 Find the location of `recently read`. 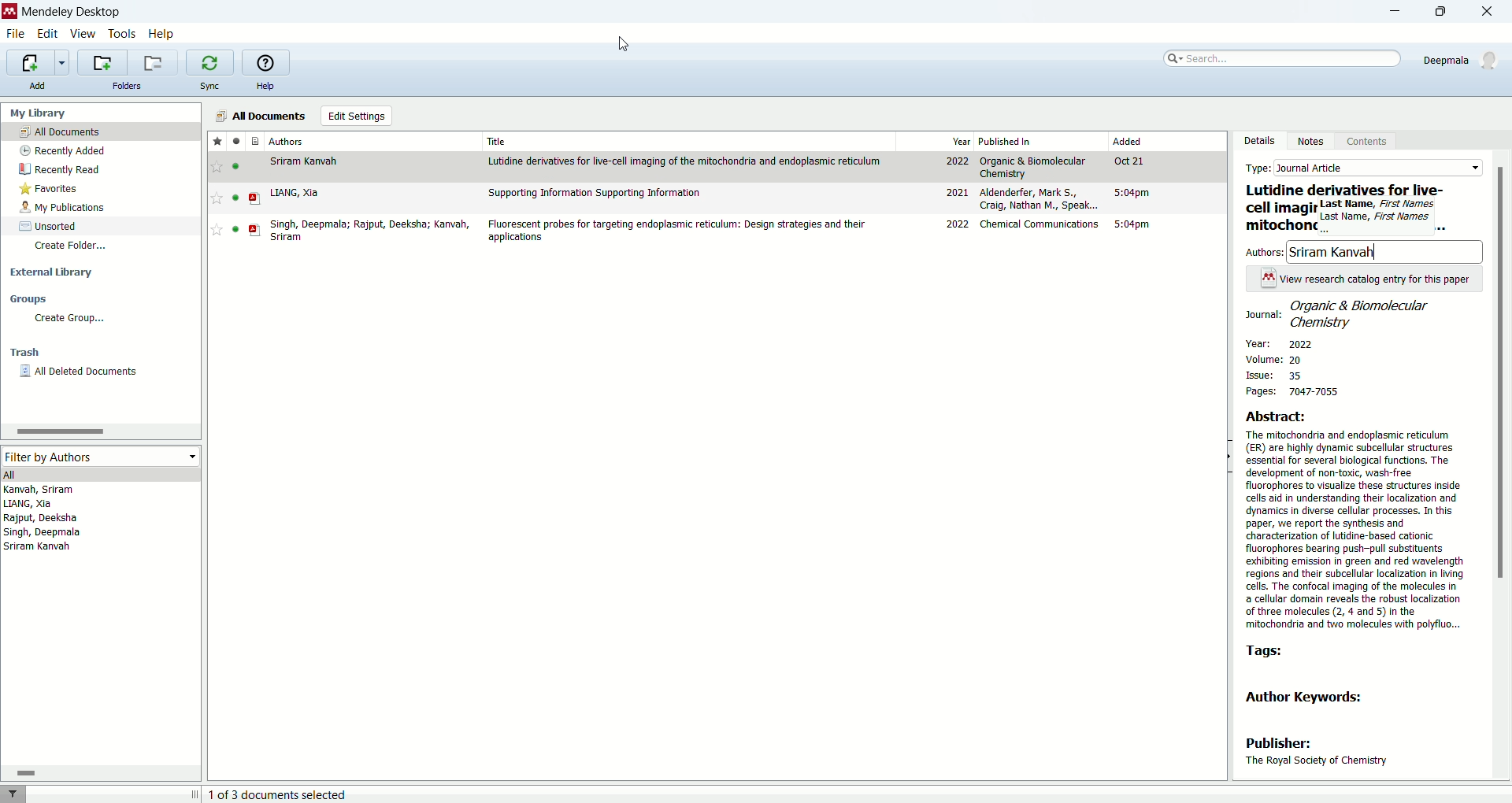

recently read is located at coordinates (66, 169).